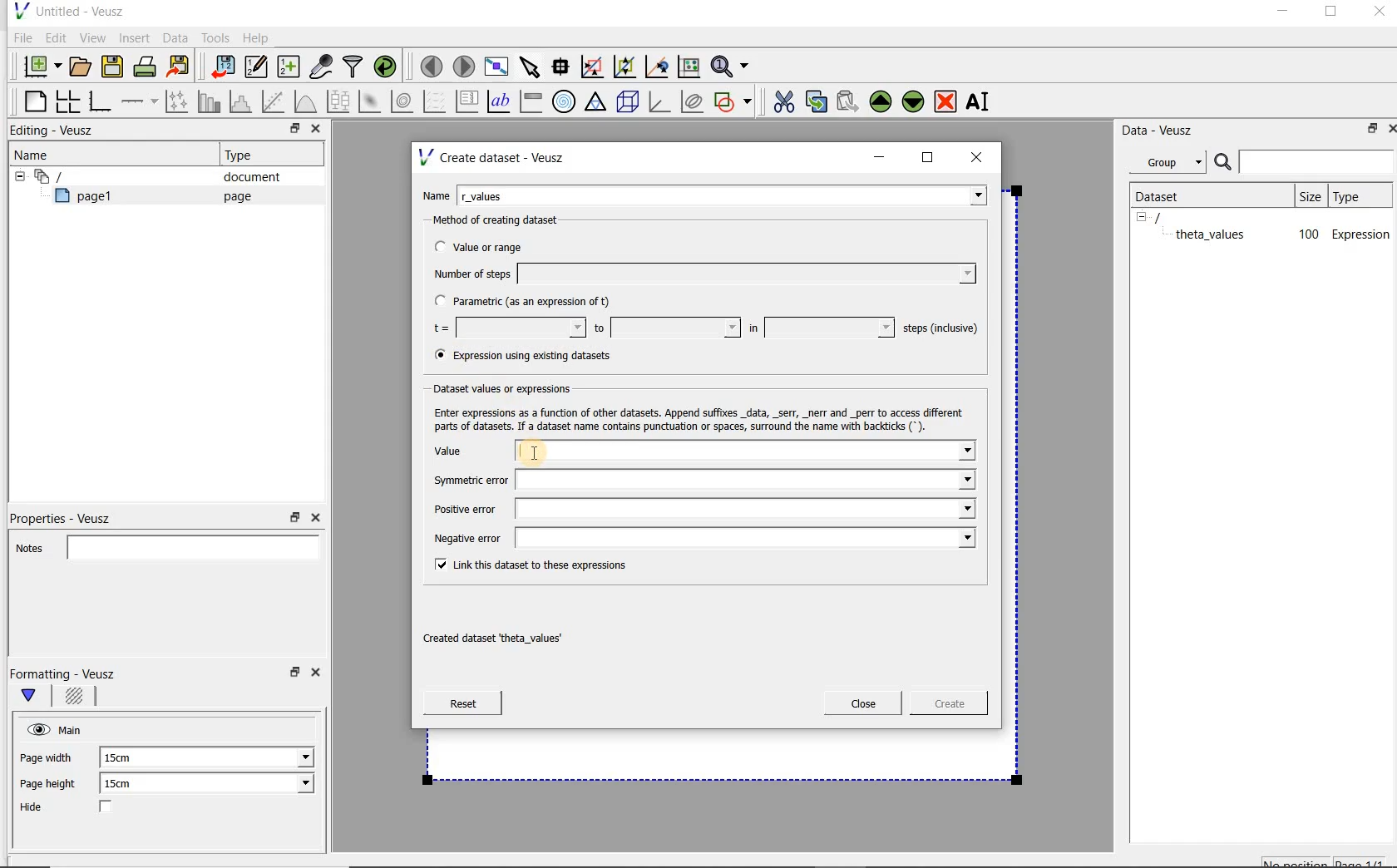  Describe the element at coordinates (275, 101) in the screenshot. I see `Fit a function to data` at that location.